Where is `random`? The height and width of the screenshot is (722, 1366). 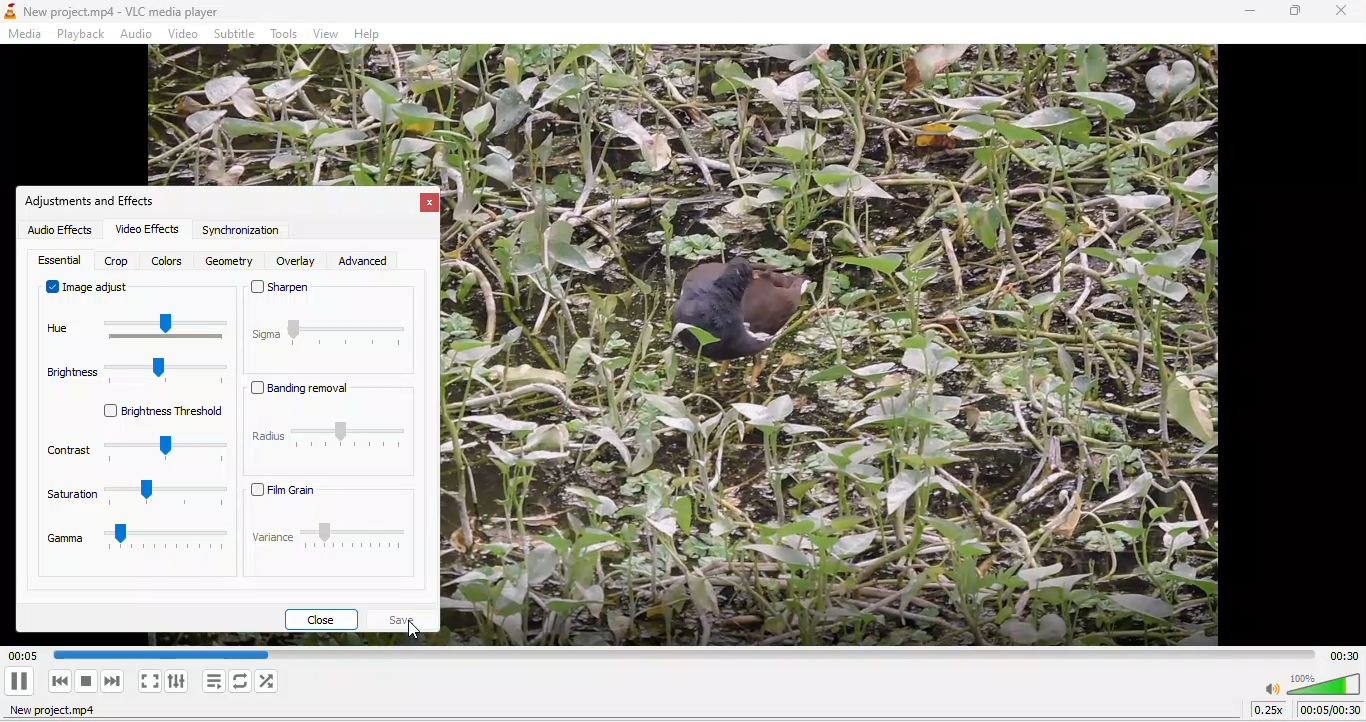
random is located at coordinates (274, 683).